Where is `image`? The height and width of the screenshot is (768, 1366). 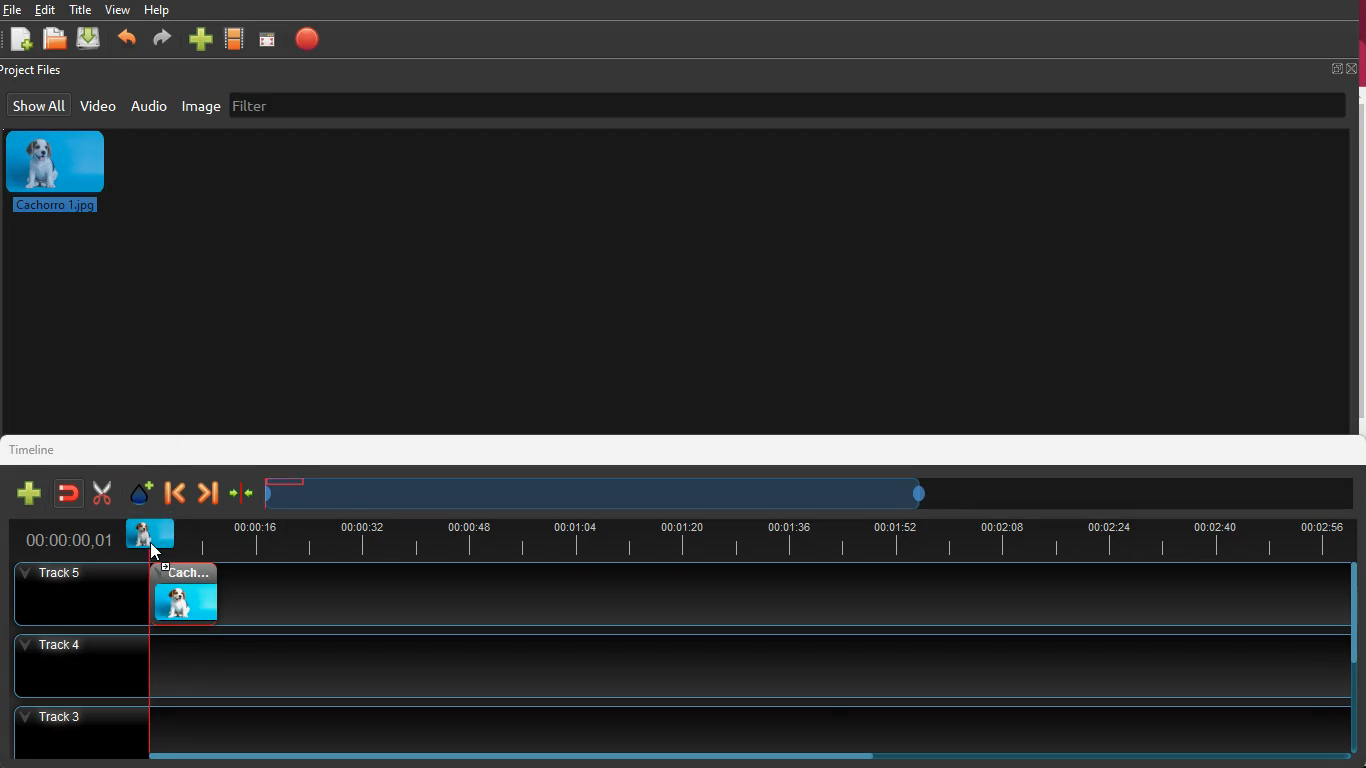
image is located at coordinates (201, 107).